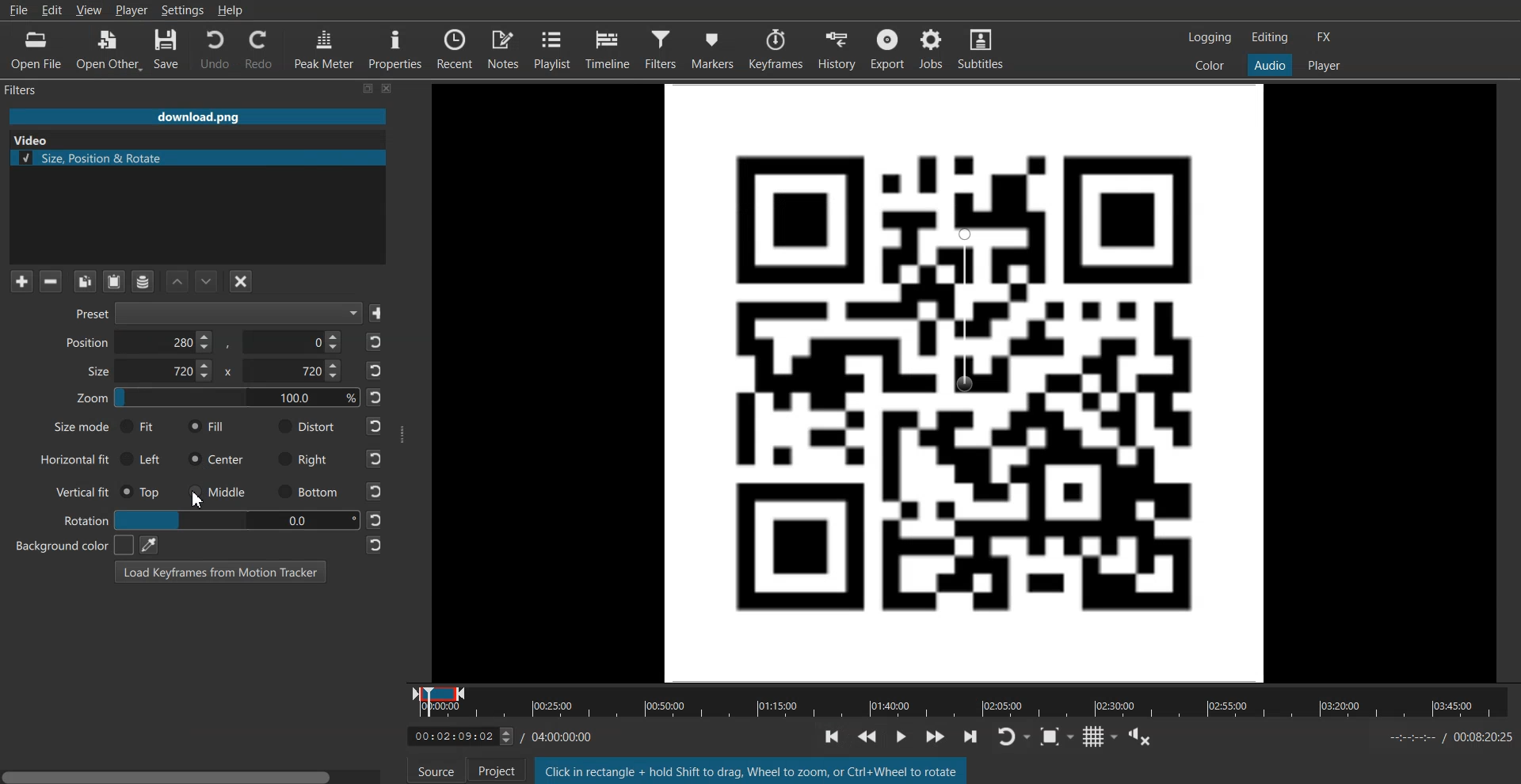 Image resolution: width=1521 pixels, height=784 pixels. I want to click on Playlist, so click(554, 48).